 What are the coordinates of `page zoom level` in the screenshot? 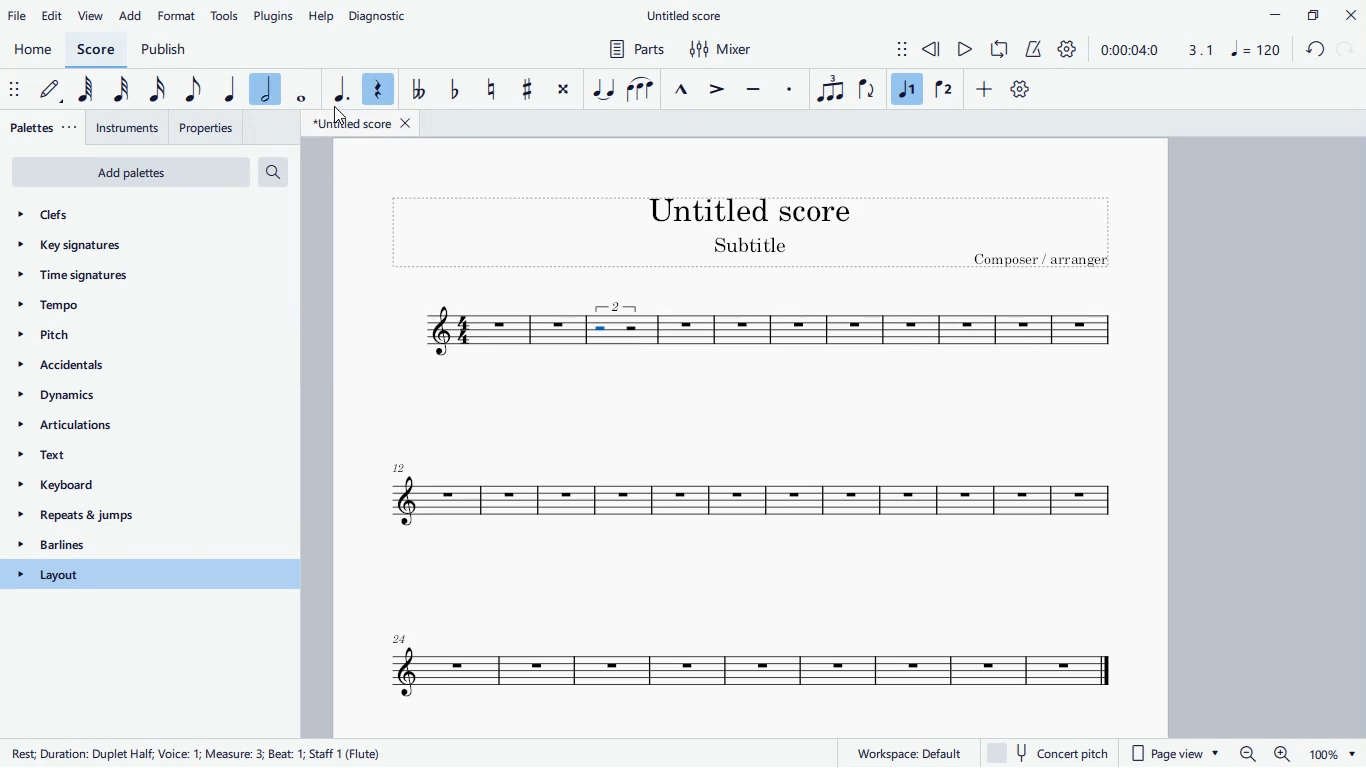 It's located at (1332, 755).